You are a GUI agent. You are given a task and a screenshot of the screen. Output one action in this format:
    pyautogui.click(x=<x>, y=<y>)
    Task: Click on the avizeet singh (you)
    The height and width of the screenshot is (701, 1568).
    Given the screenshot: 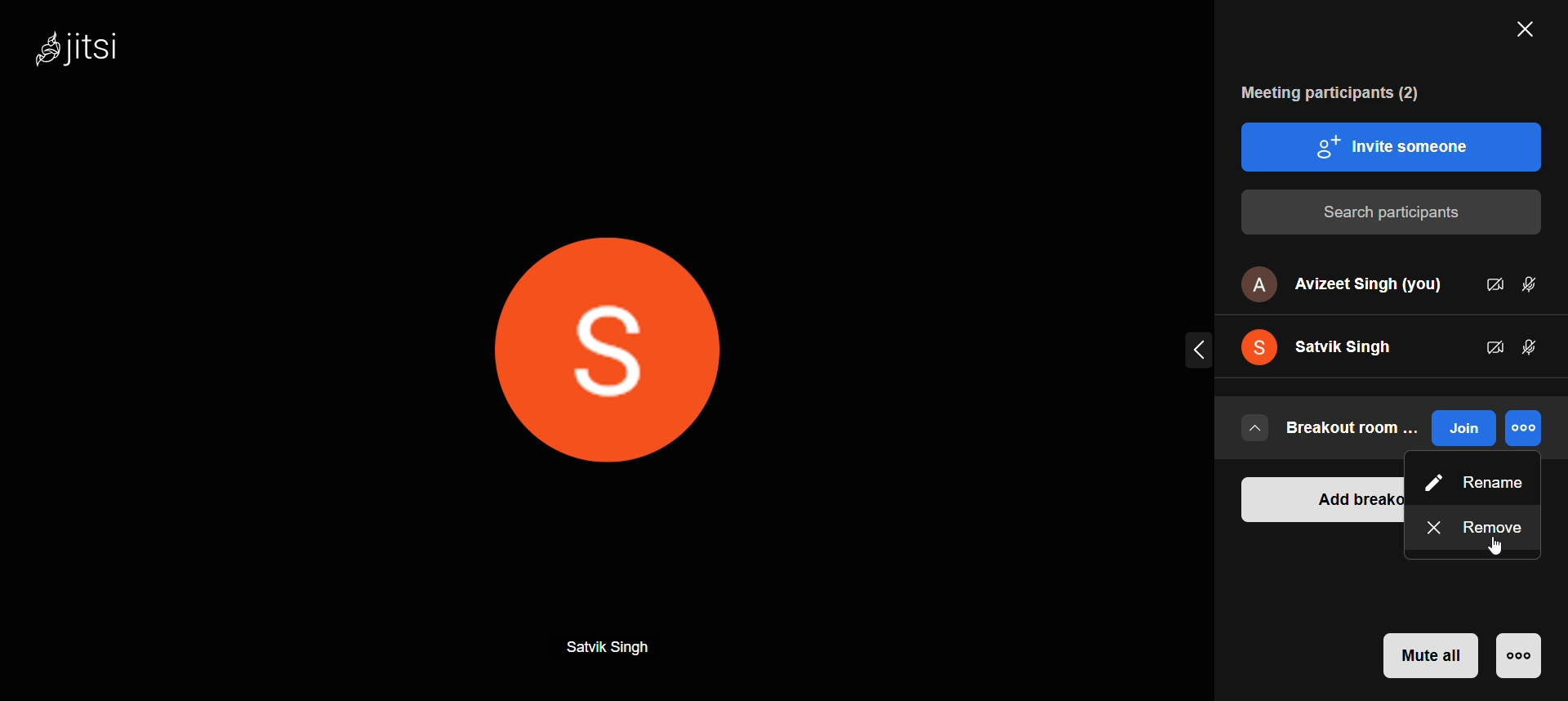 What is the action you would take?
    pyautogui.click(x=1340, y=284)
    